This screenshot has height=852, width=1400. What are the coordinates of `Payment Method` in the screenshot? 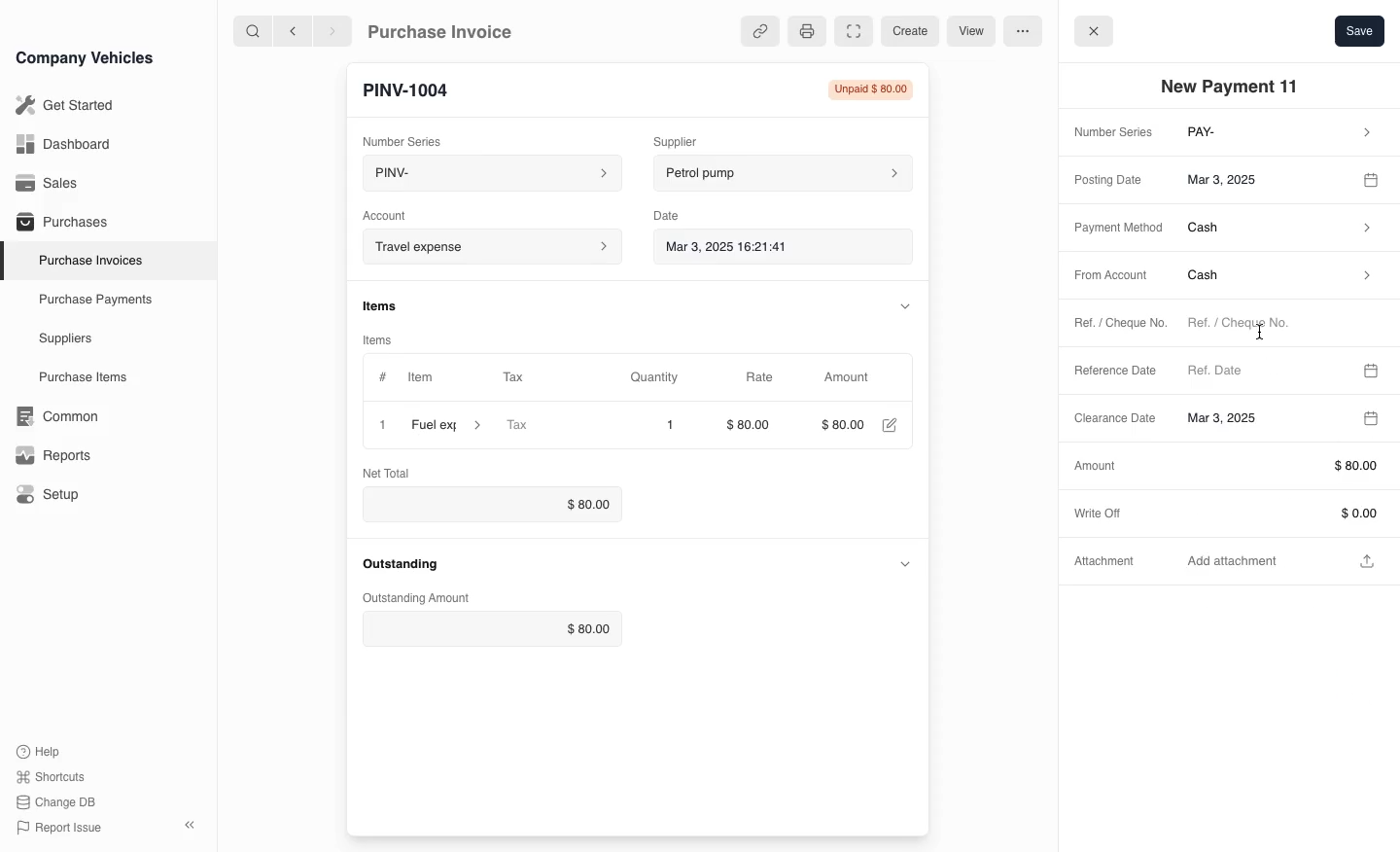 It's located at (1112, 229).